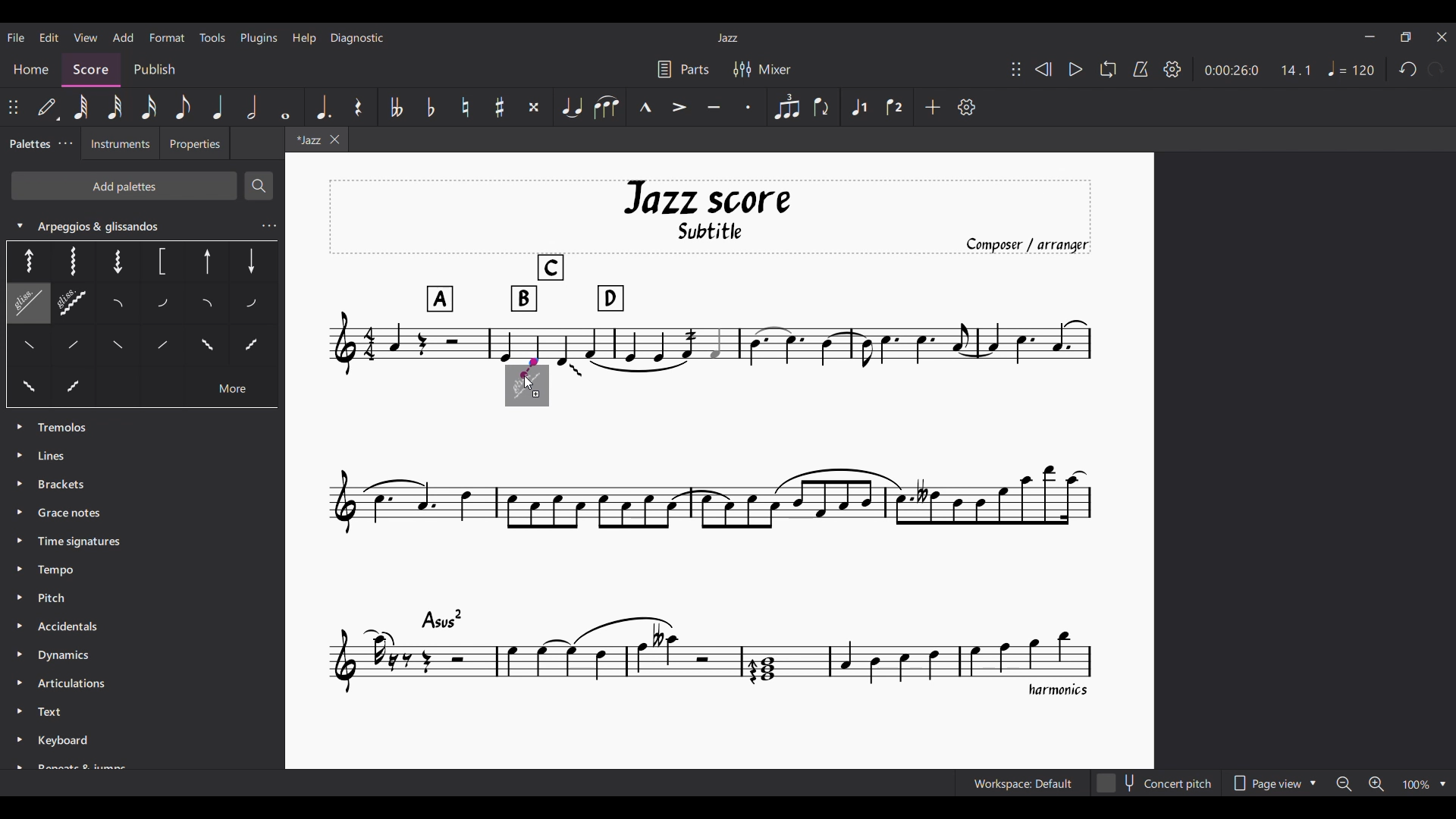 The height and width of the screenshot is (819, 1456). Describe the element at coordinates (232, 391) in the screenshot. I see `More` at that location.